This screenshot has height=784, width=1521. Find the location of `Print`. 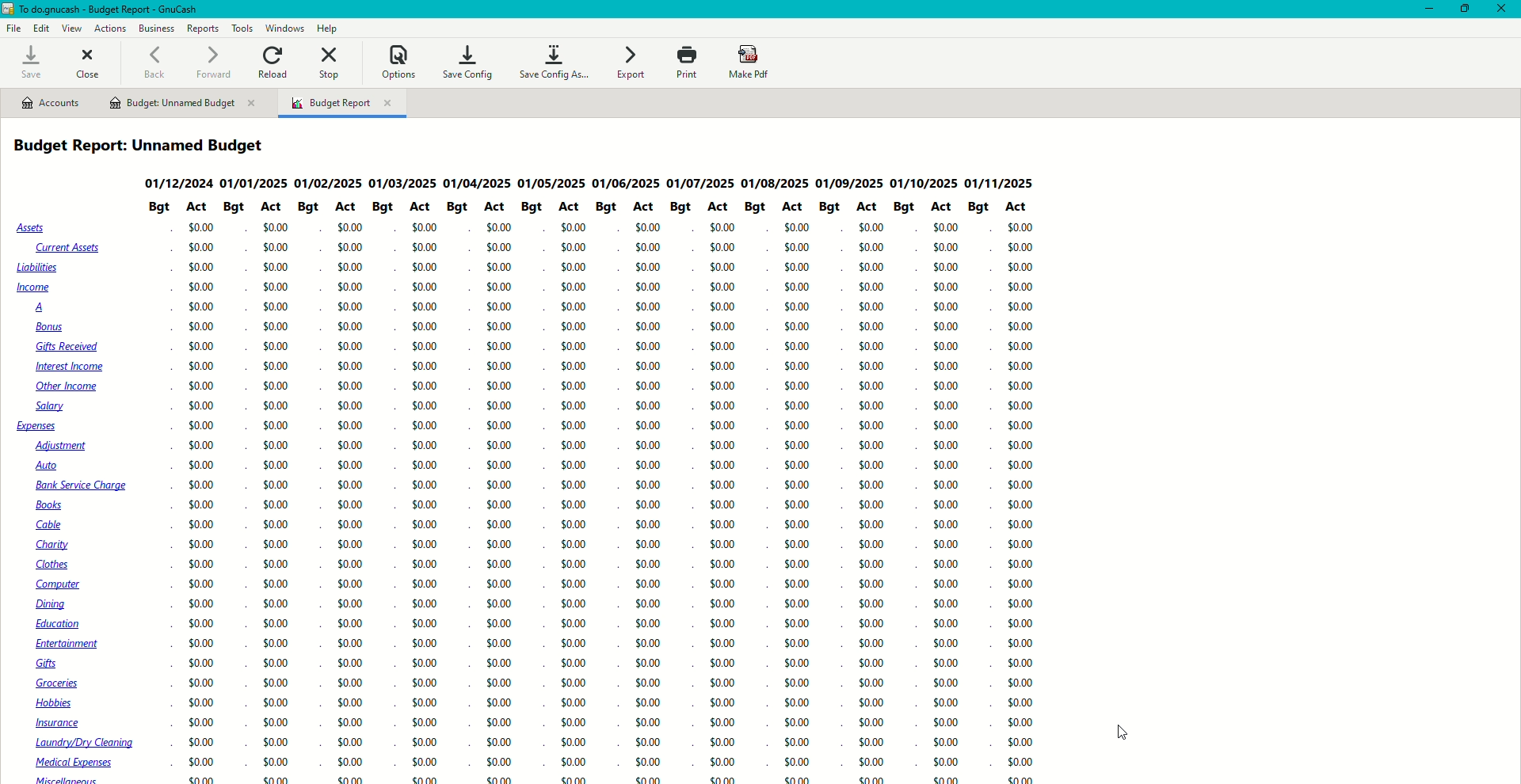

Print is located at coordinates (685, 63).